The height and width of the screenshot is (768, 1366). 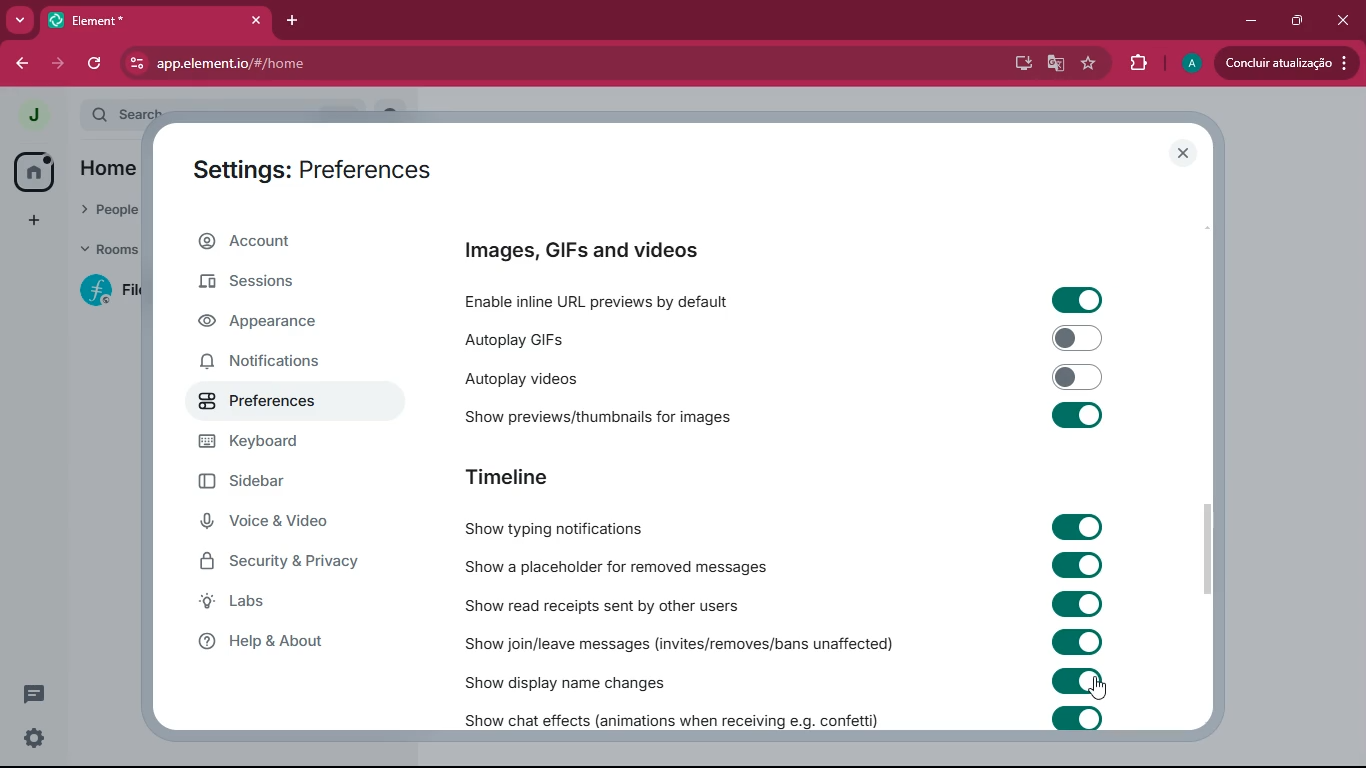 I want to click on toggle on/off, so click(x=1079, y=377).